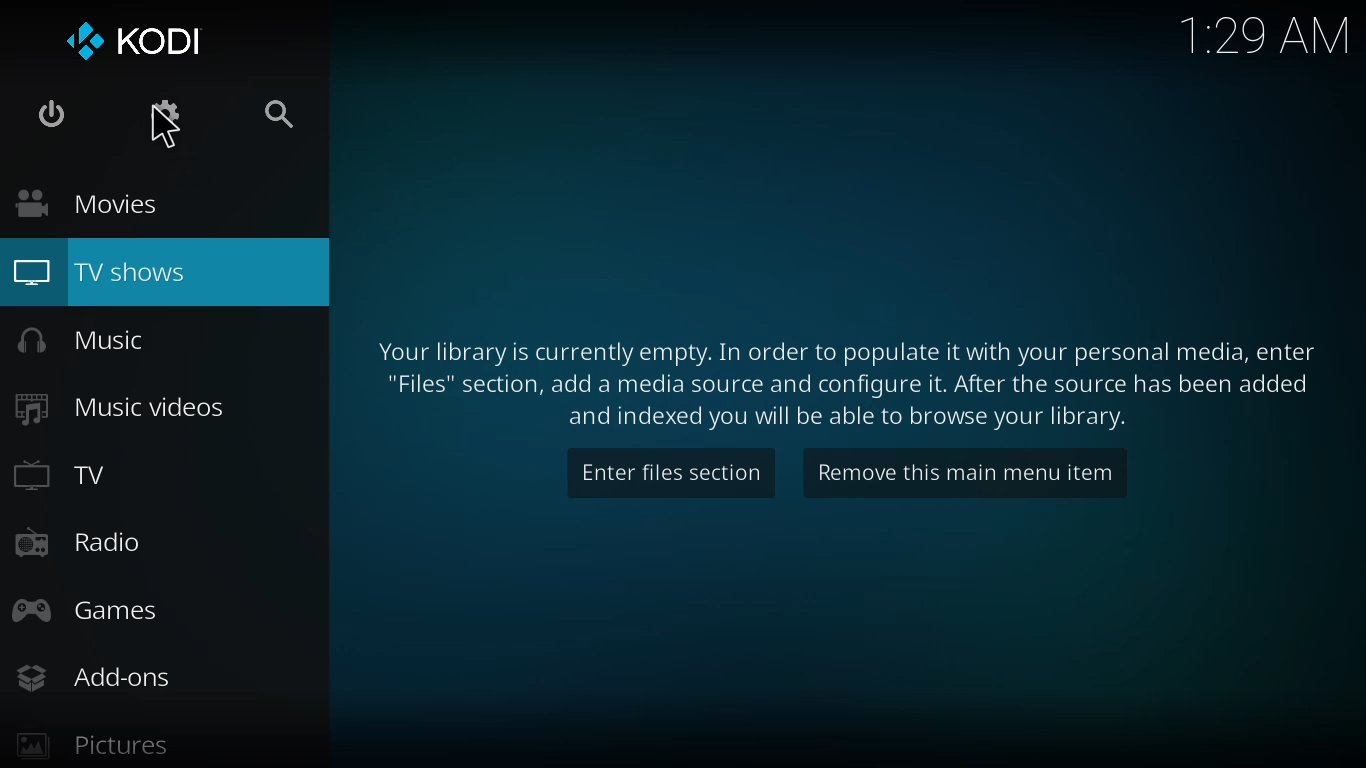  I want to click on power, so click(50, 116).